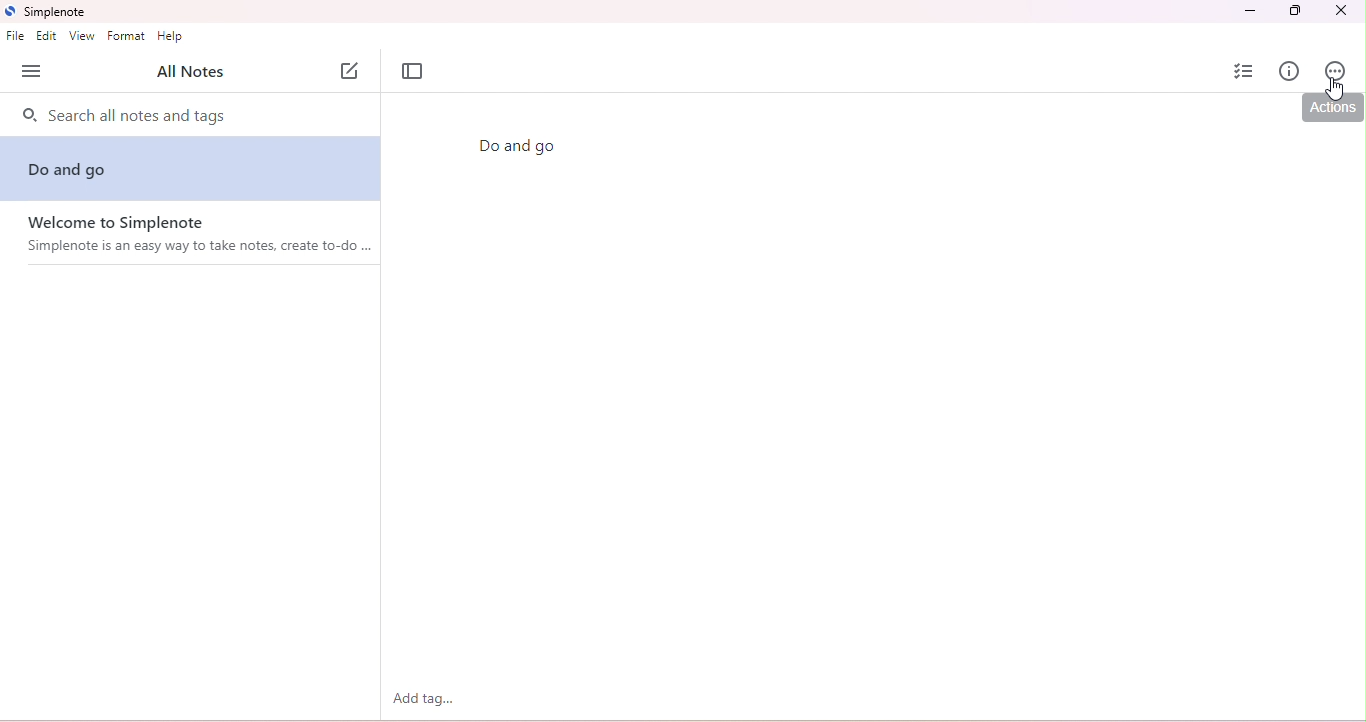  What do you see at coordinates (426, 699) in the screenshot?
I see `add tag` at bounding box center [426, 699].